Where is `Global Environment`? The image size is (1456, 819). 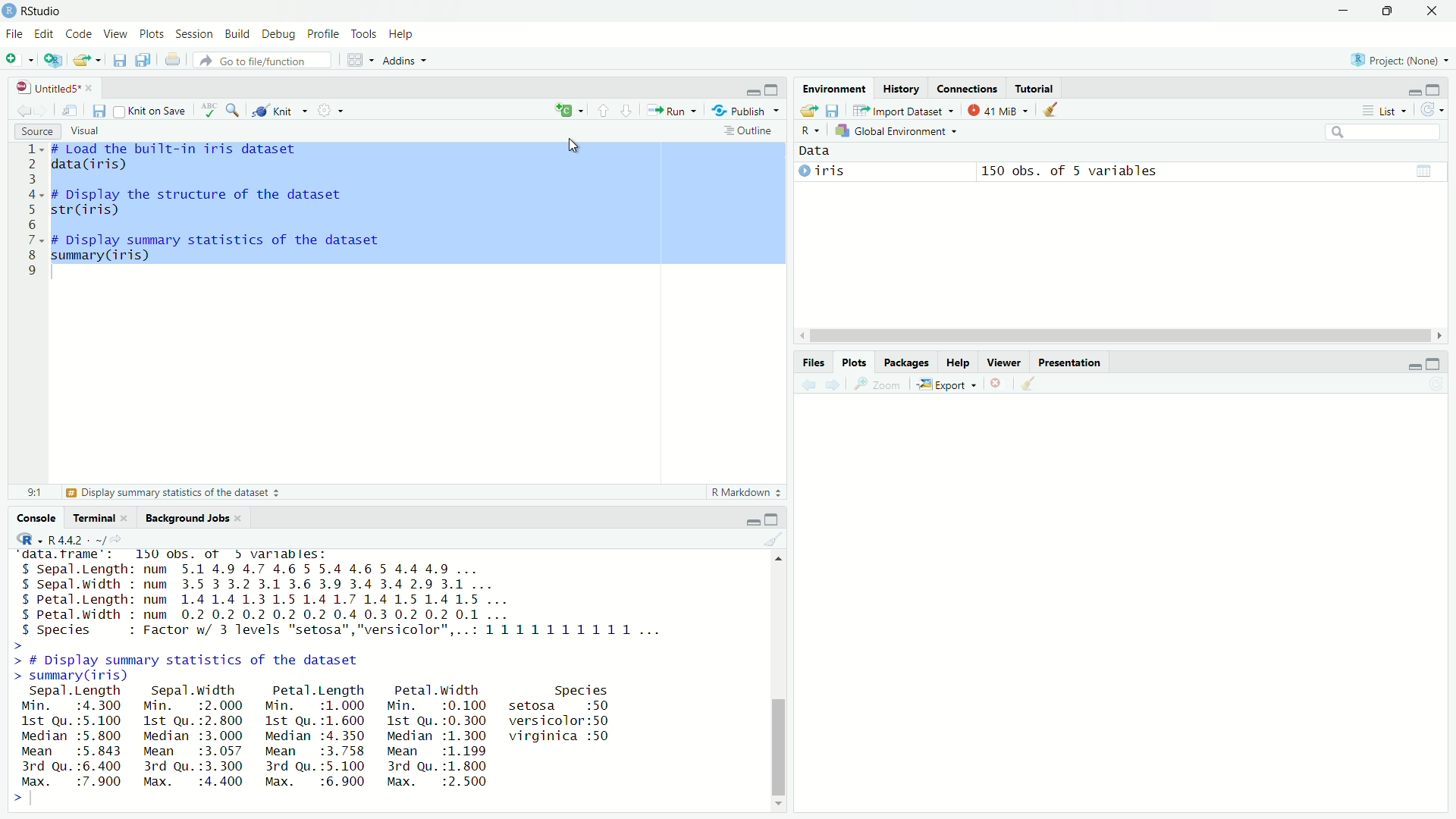
Global Environment is located at coordinates (895, 131).